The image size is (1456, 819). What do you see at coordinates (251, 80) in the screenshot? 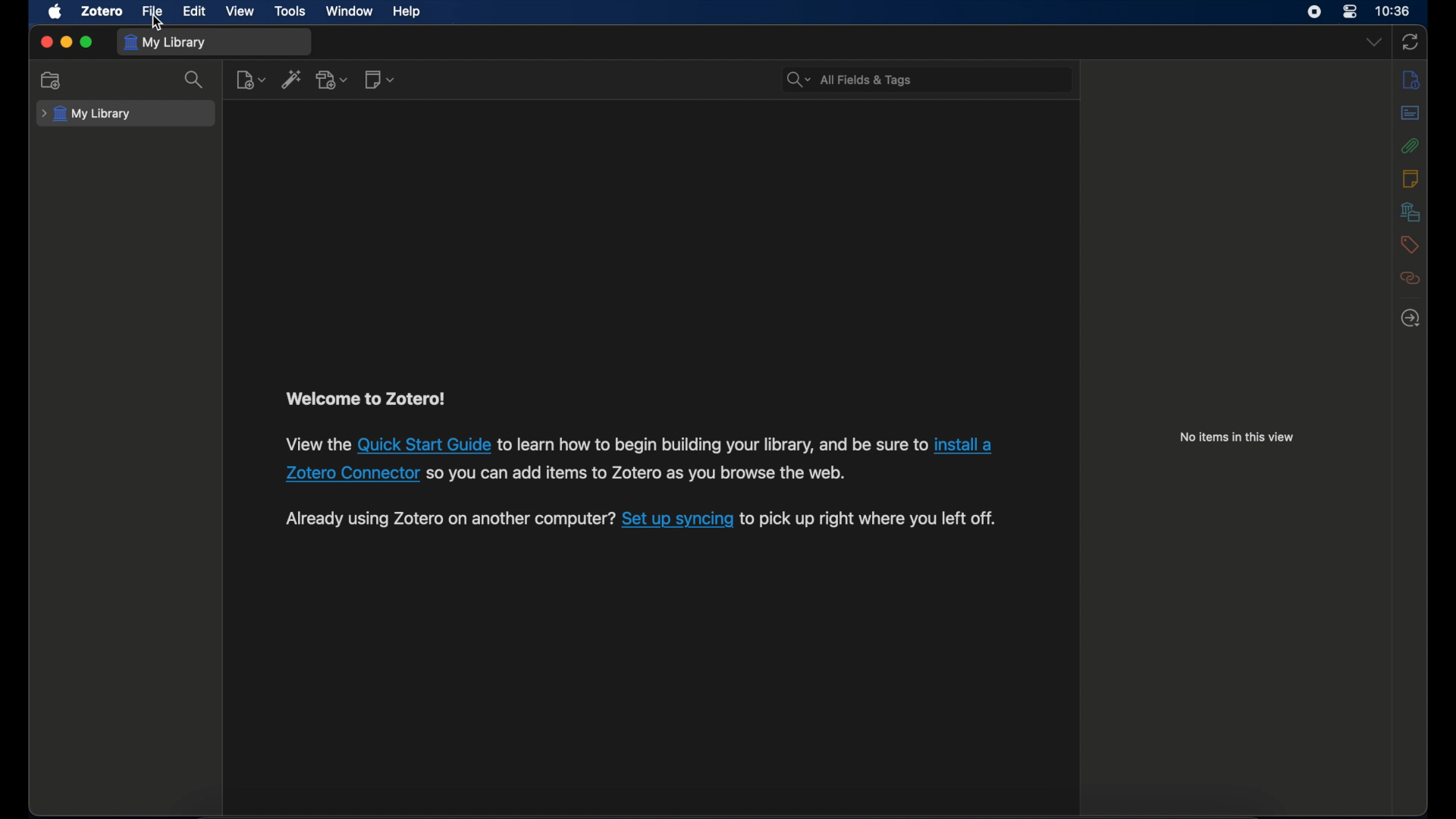
I see `new item` at bounding box center [251, 80].